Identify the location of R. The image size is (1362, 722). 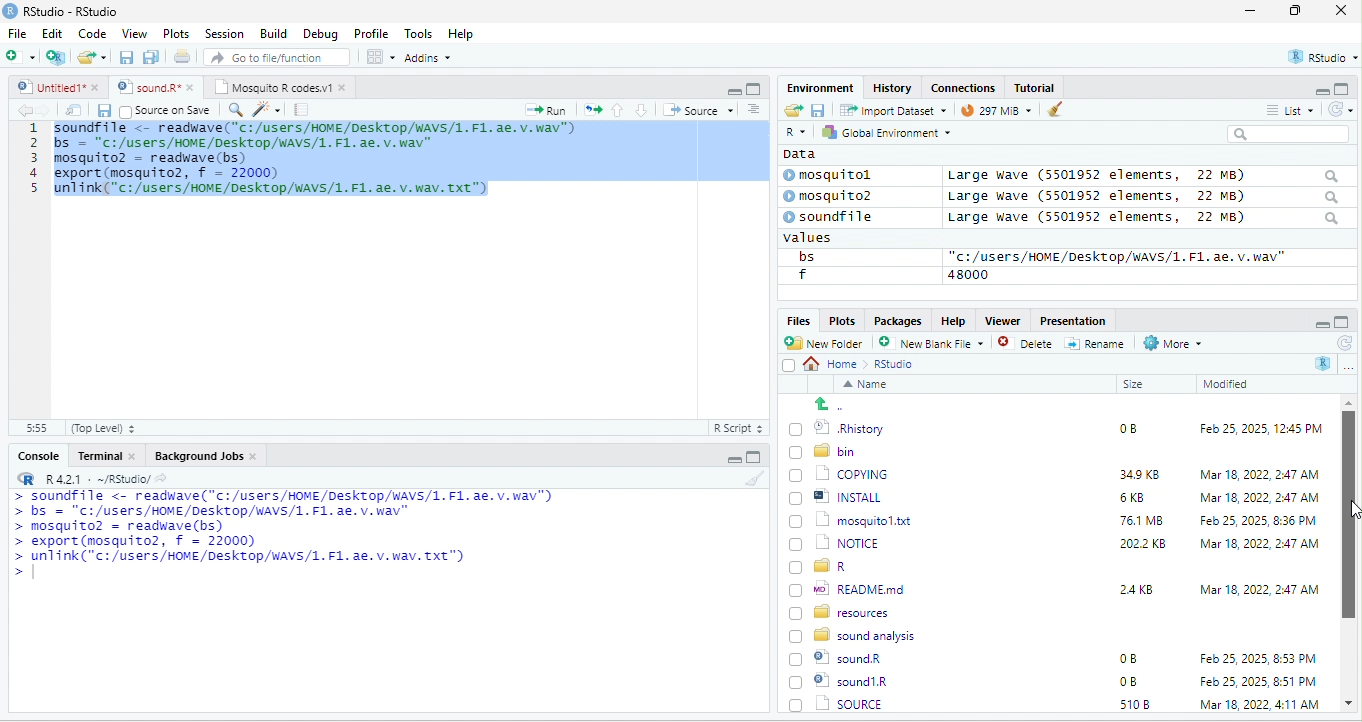
(1324, 363).